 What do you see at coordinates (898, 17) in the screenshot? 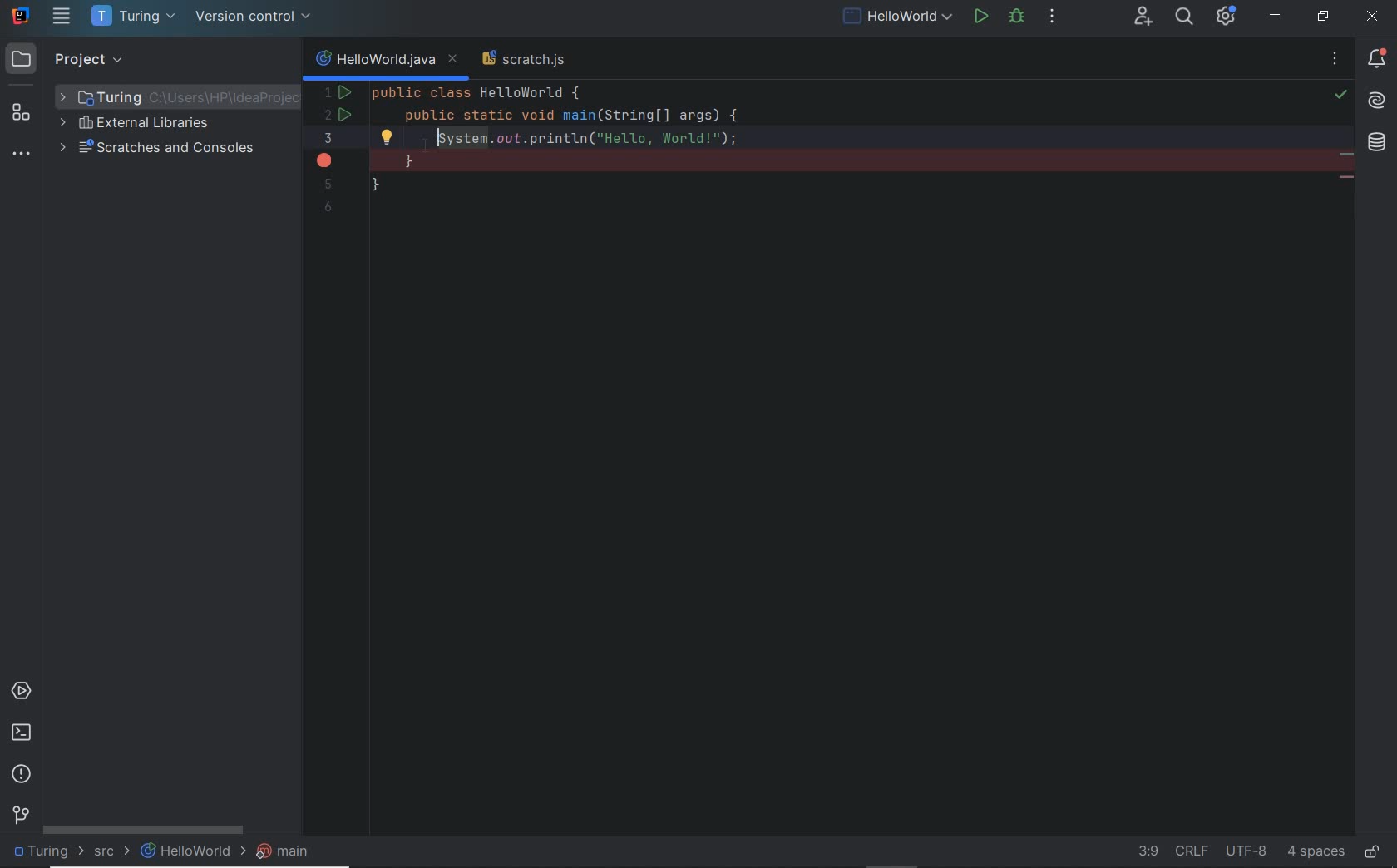
I see `run/debug configurations` at bounding box center [898, 17].